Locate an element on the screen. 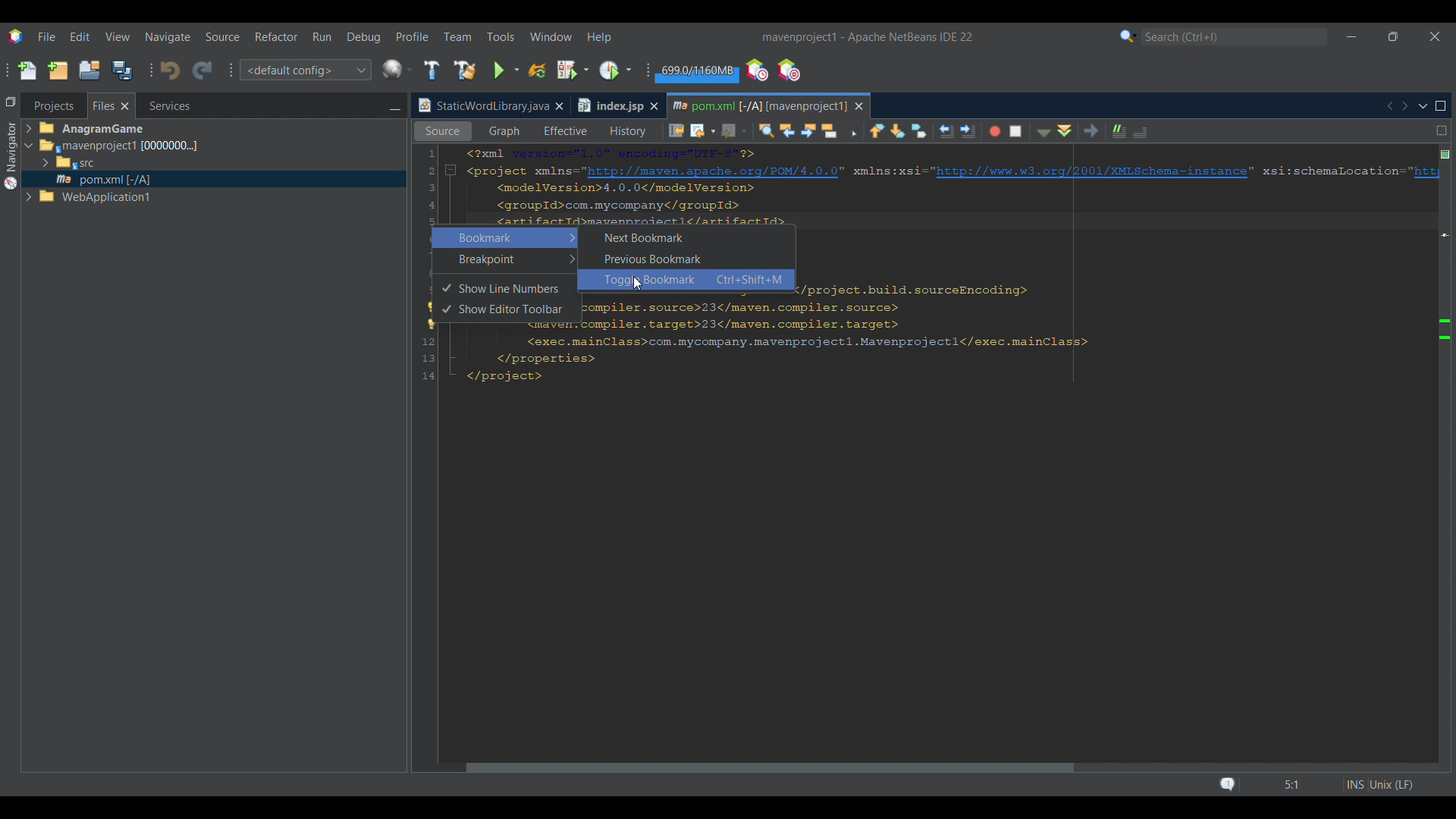 Image resolution: width=1456 pixels, height=819 pixels. Debug main project is located at coordinates (573, 70).